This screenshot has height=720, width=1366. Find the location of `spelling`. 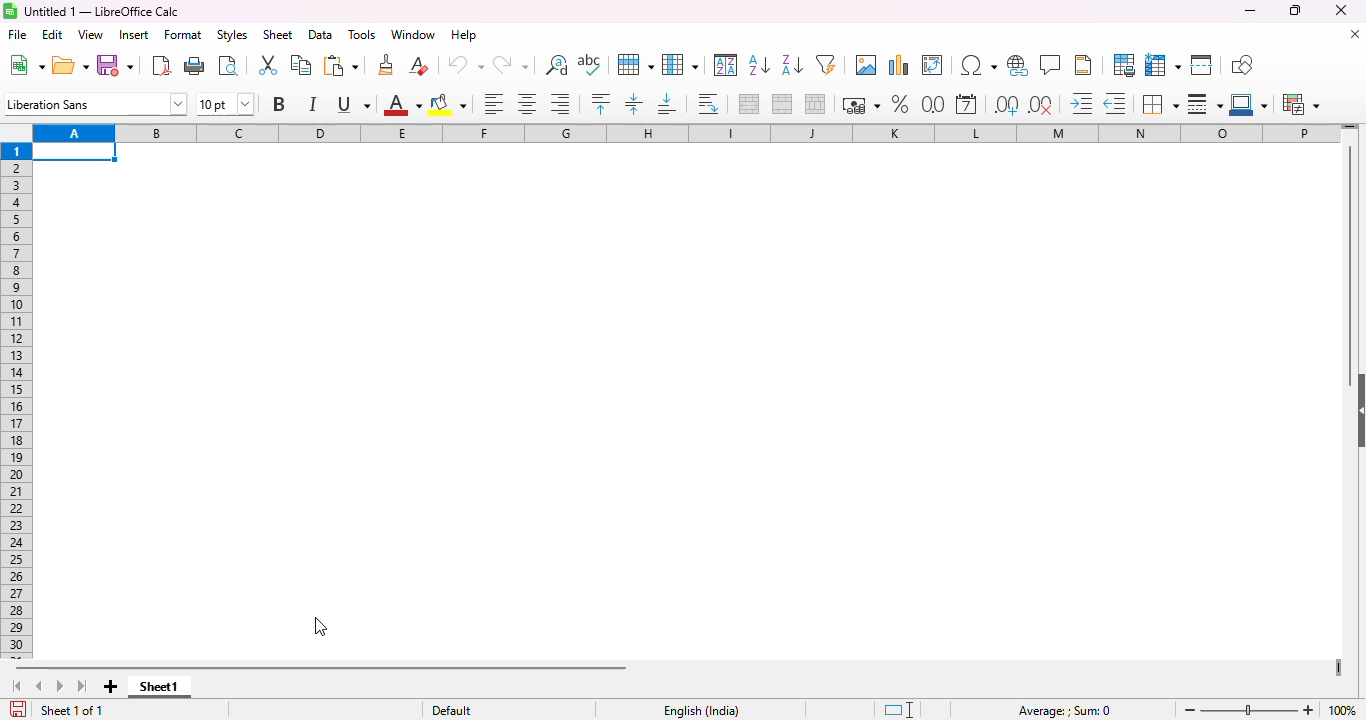

spelling is located at coordinates (591, 65).